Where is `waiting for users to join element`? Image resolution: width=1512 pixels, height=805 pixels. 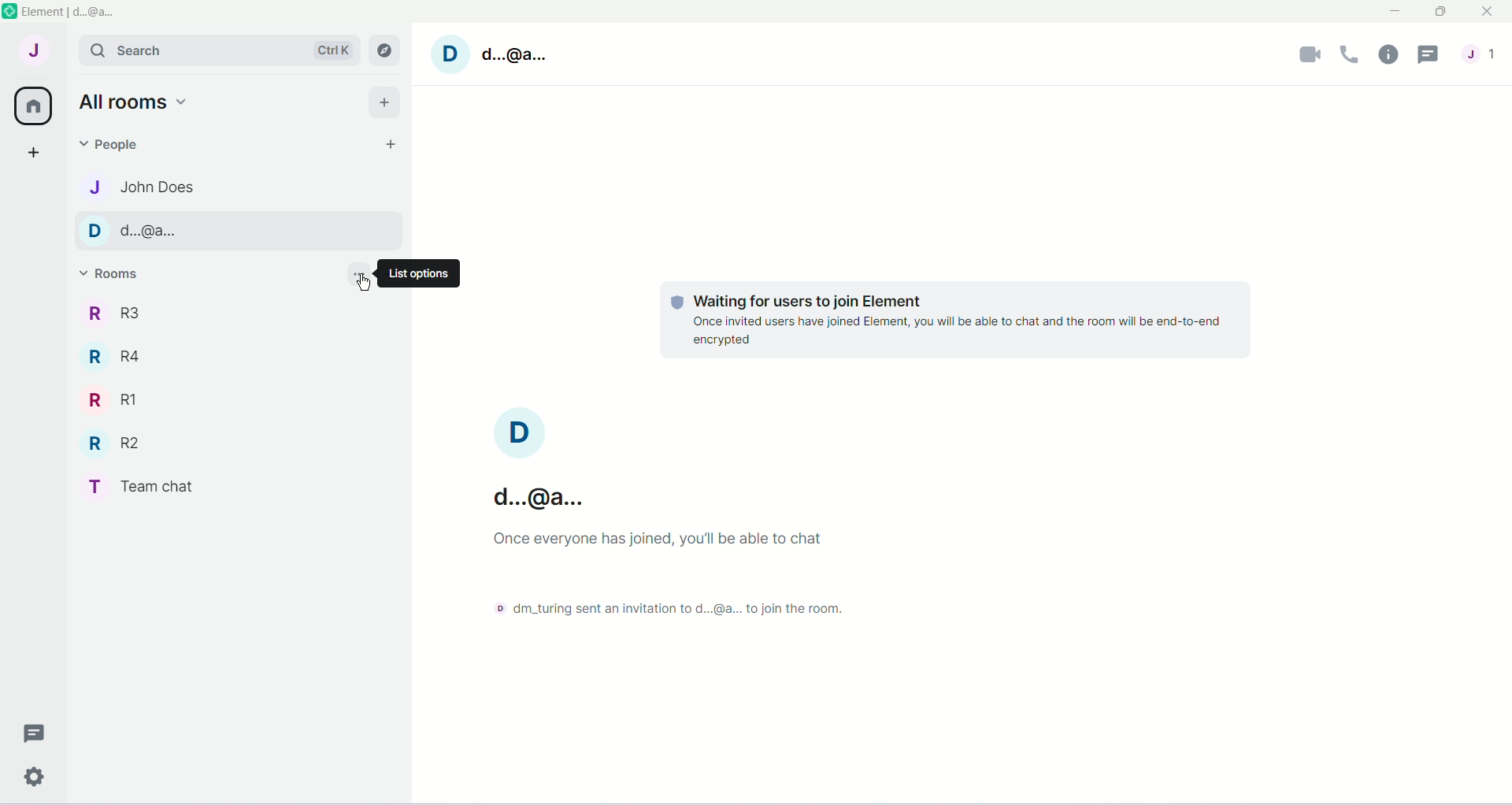 waiting for users to join element is located at coordinates (830, 297).